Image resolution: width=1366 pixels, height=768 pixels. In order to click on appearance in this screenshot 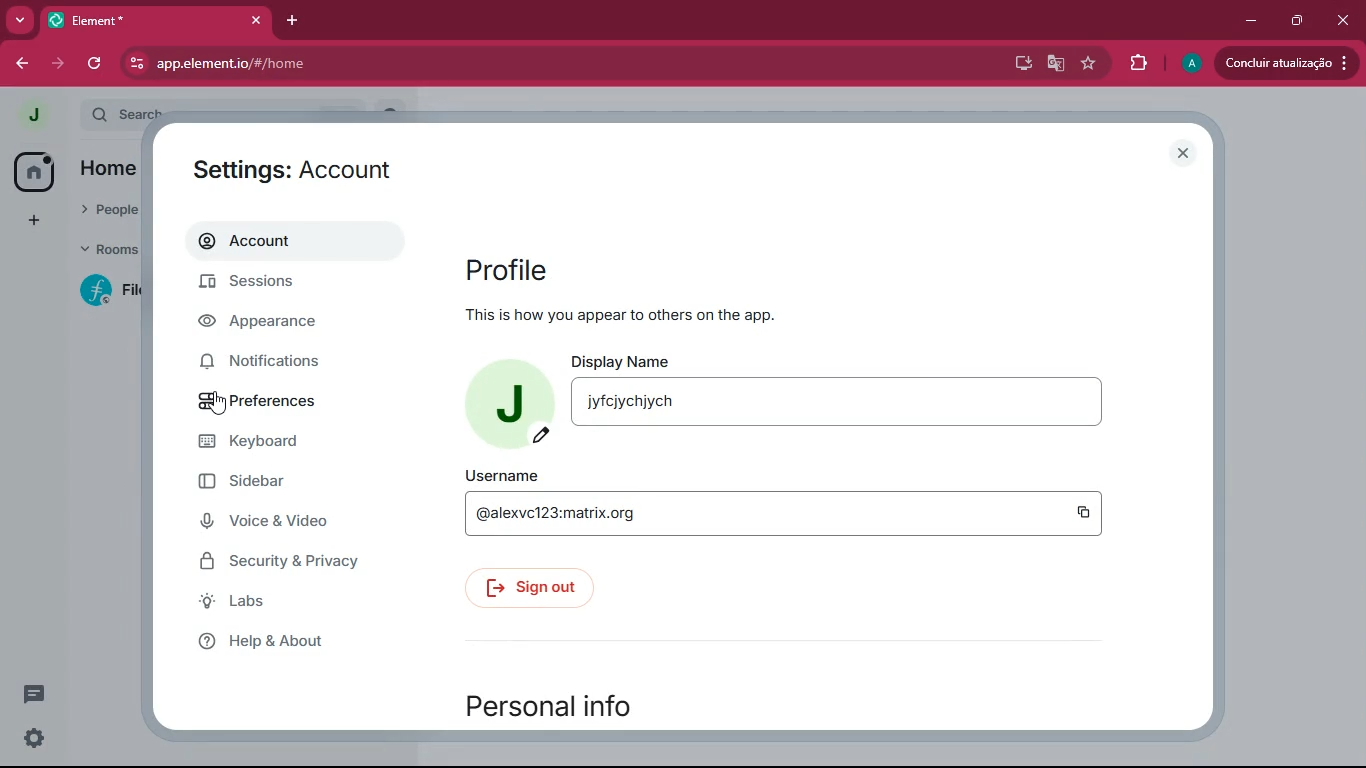, I will do `click(275, 325)`.